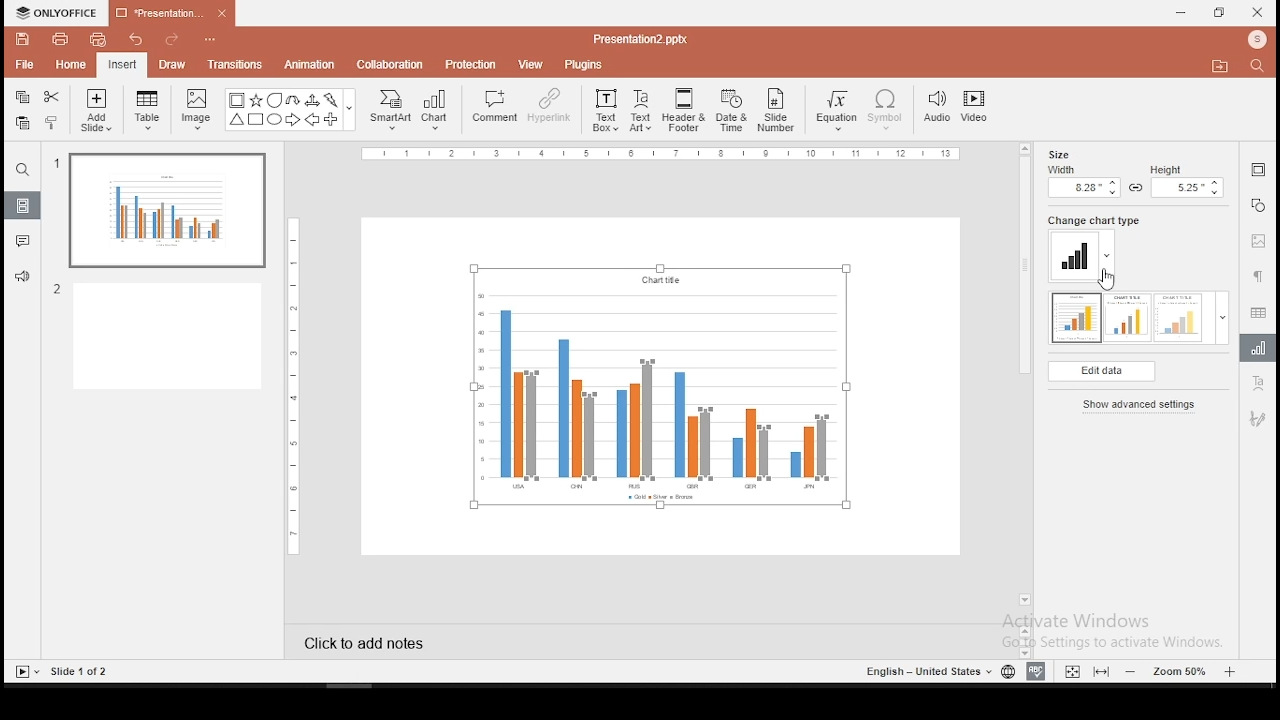 Image resolution: width=1280 pixels, height=720 pixels. What do you see at coordinates (547, 107) in the screenshot?
I see `hyperlink` at bounding box center [547, 107].